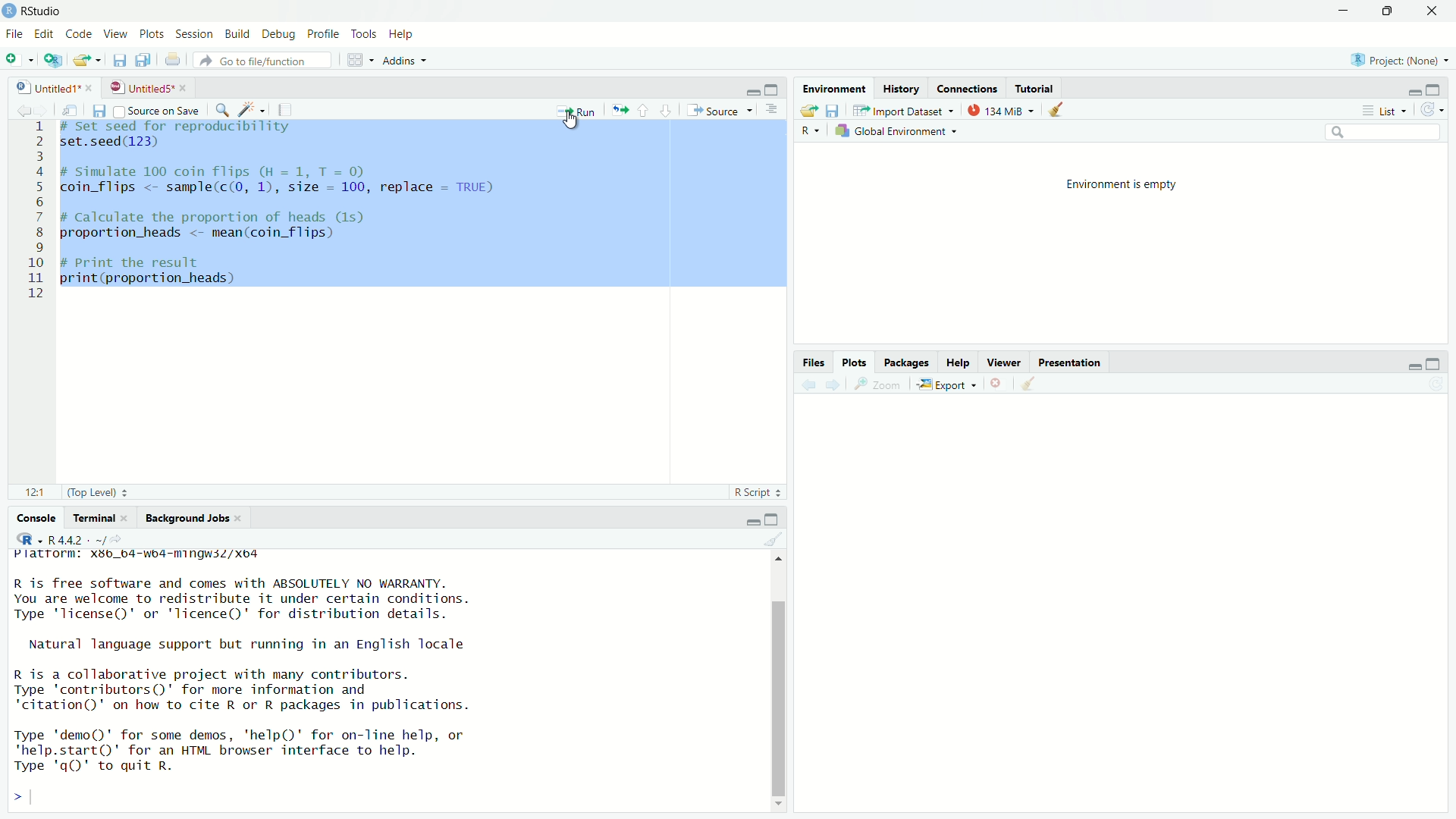 Image resolution: width=1456 pixels, height=819 pixels. Describe the element at coordinates (1060, 110) in the screenshot. I see `clear objects from the workspace` at that location.